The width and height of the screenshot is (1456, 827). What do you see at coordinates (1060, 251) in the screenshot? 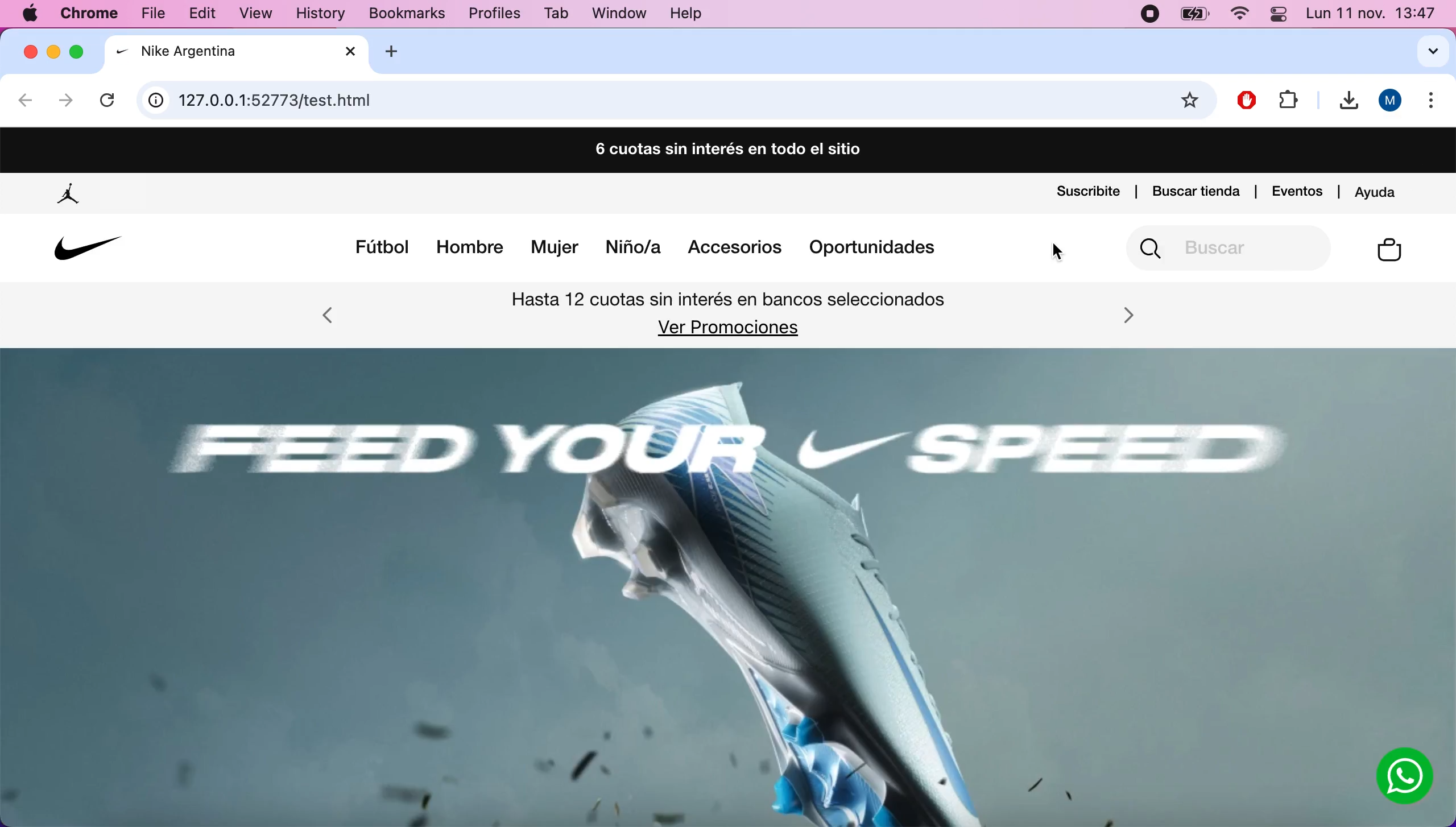
I see `cursor` at bounding box center [1060, 251].